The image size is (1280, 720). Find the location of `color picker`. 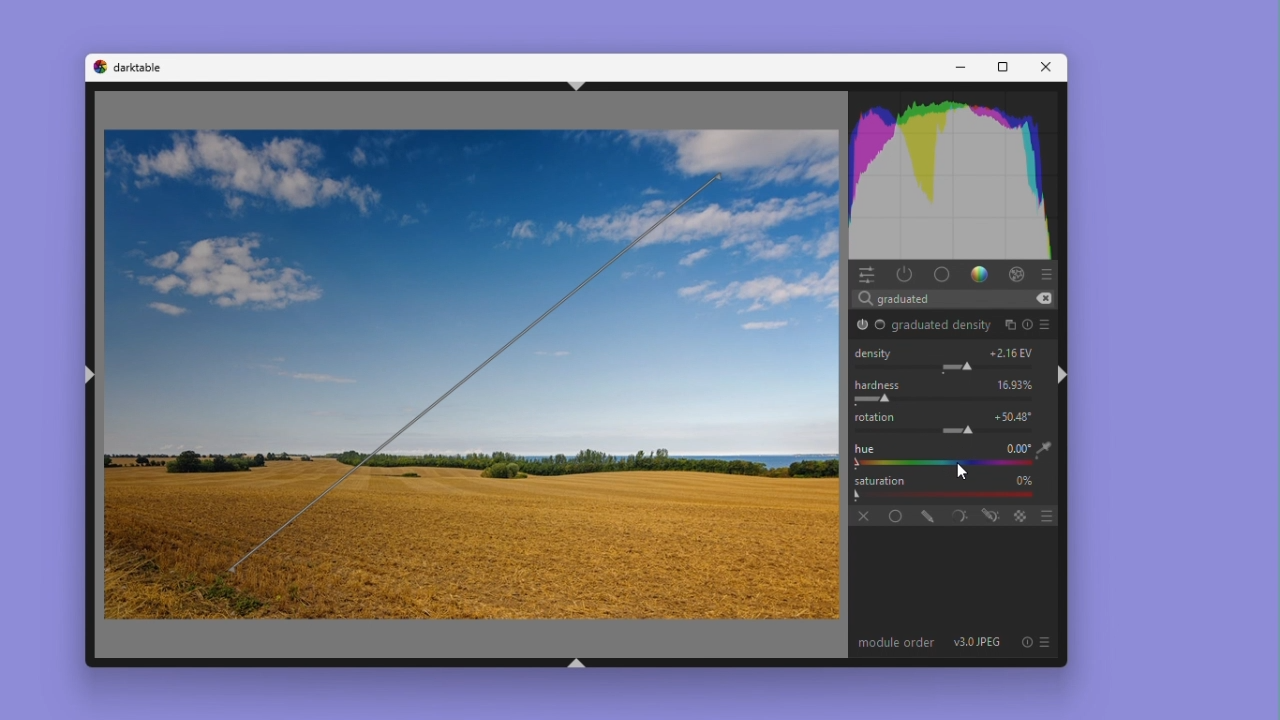

color picker is located at coordinates (938, 464).